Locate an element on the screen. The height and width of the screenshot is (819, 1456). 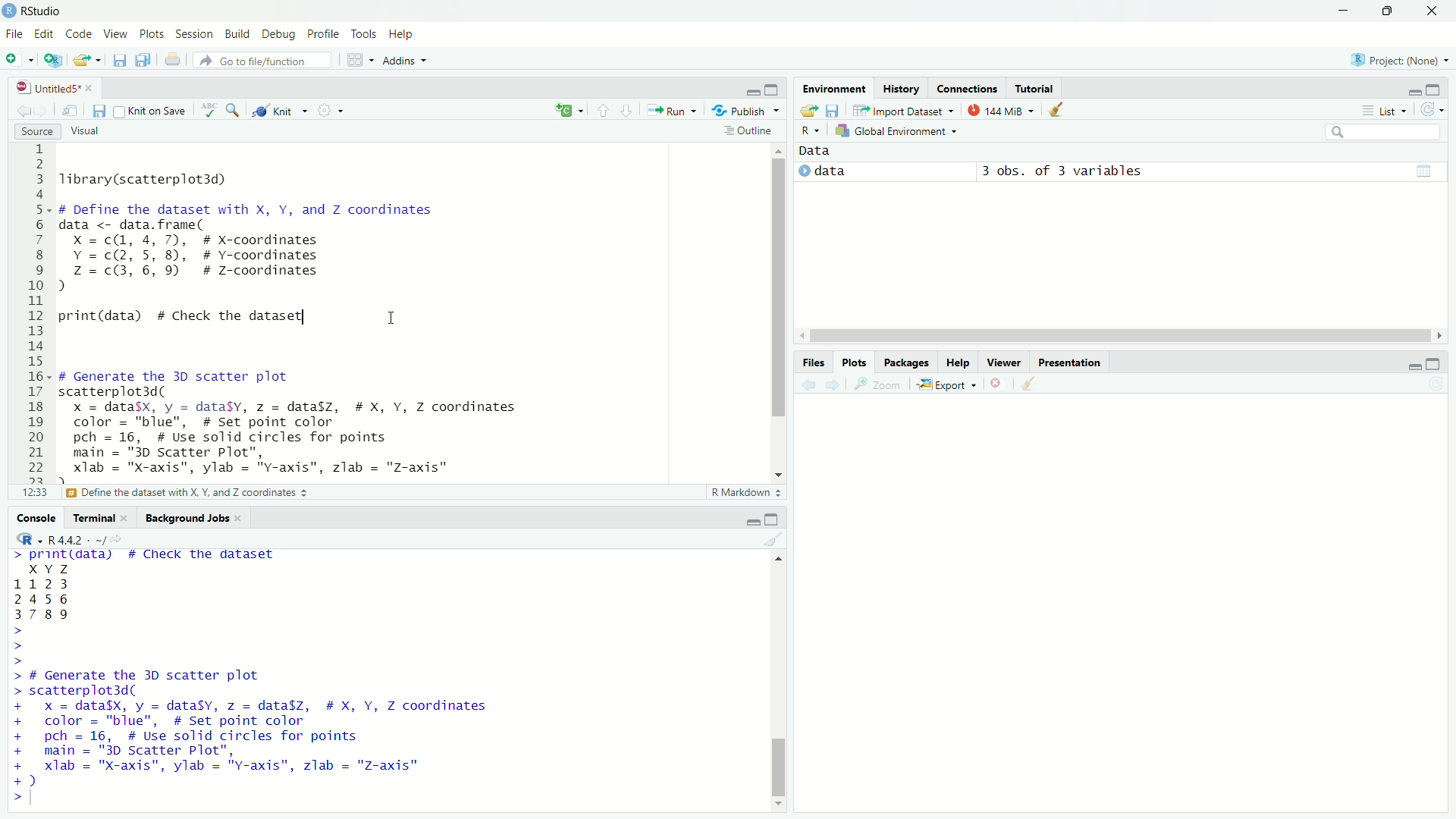
data table is located at coordinates (1425, 171).